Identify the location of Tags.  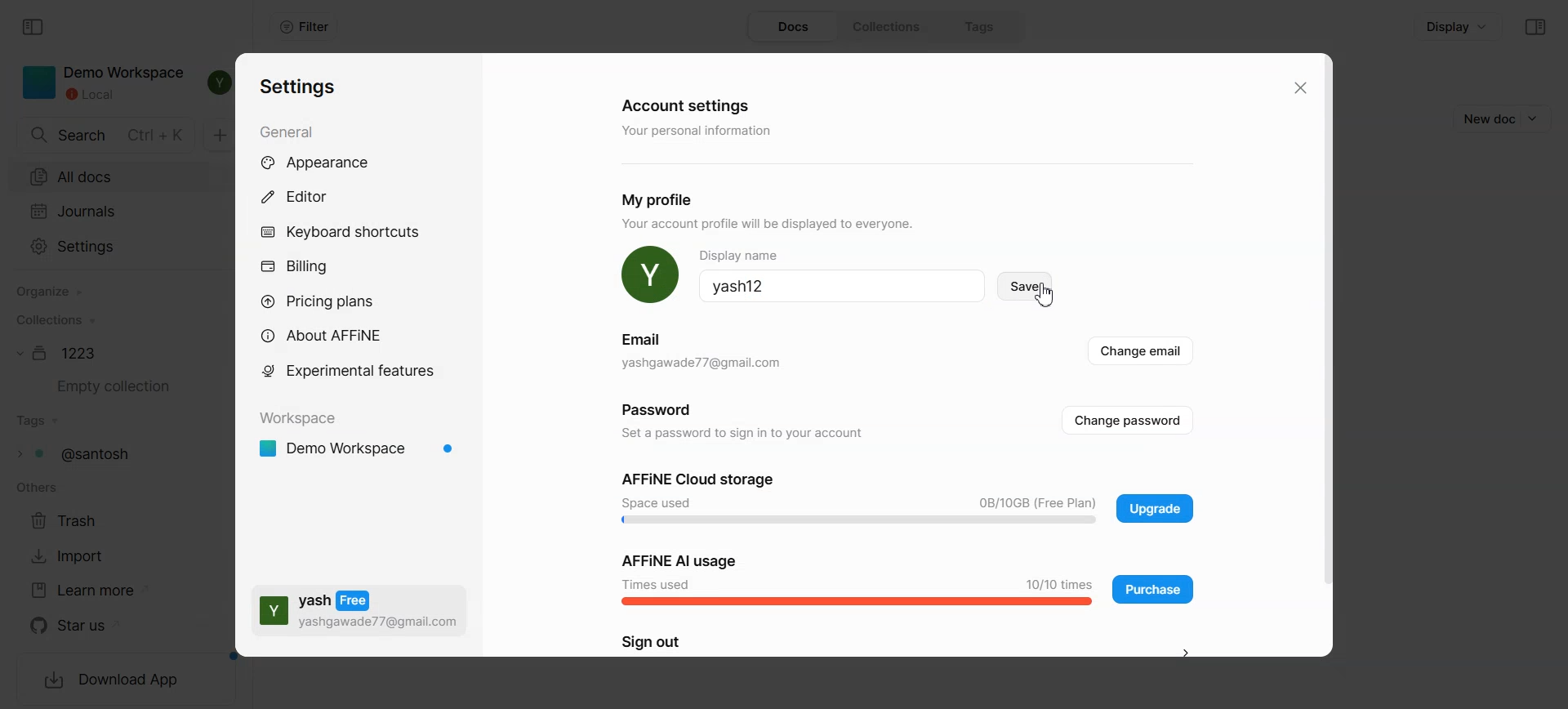
(81, 453).